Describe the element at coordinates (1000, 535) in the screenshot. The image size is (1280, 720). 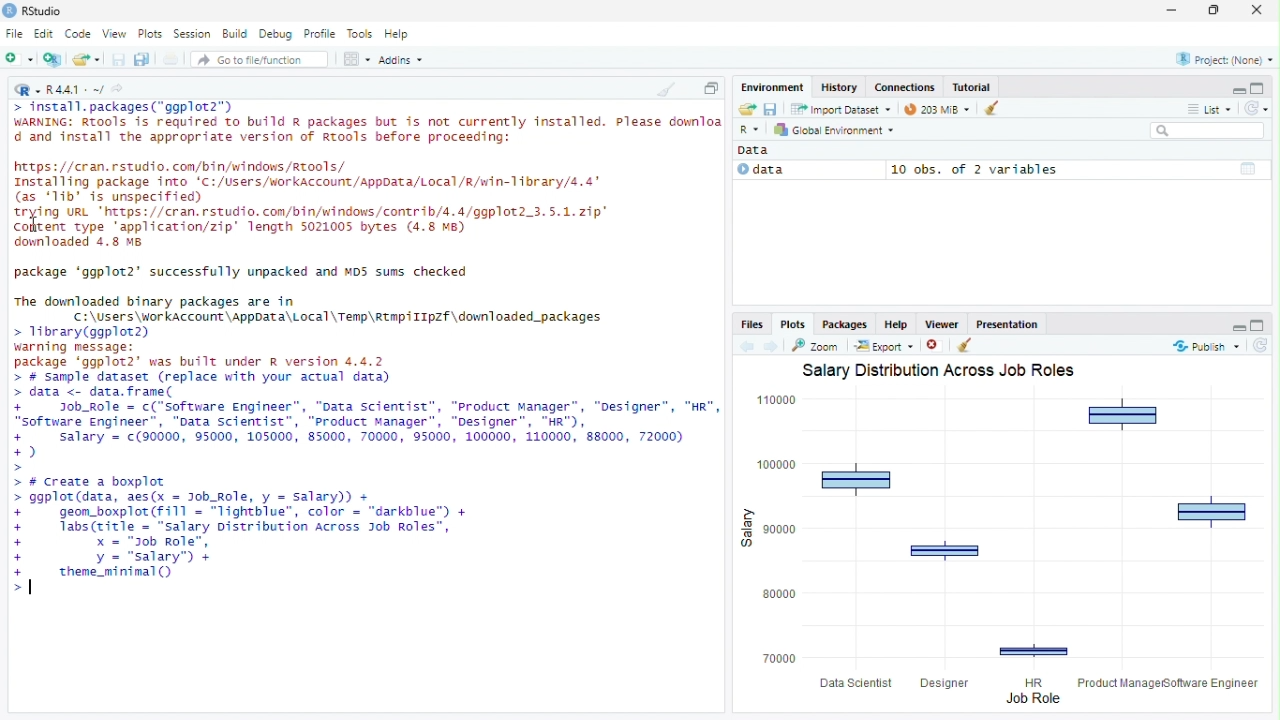
I see `salary Distribution Across Job Roles plot` at that location.